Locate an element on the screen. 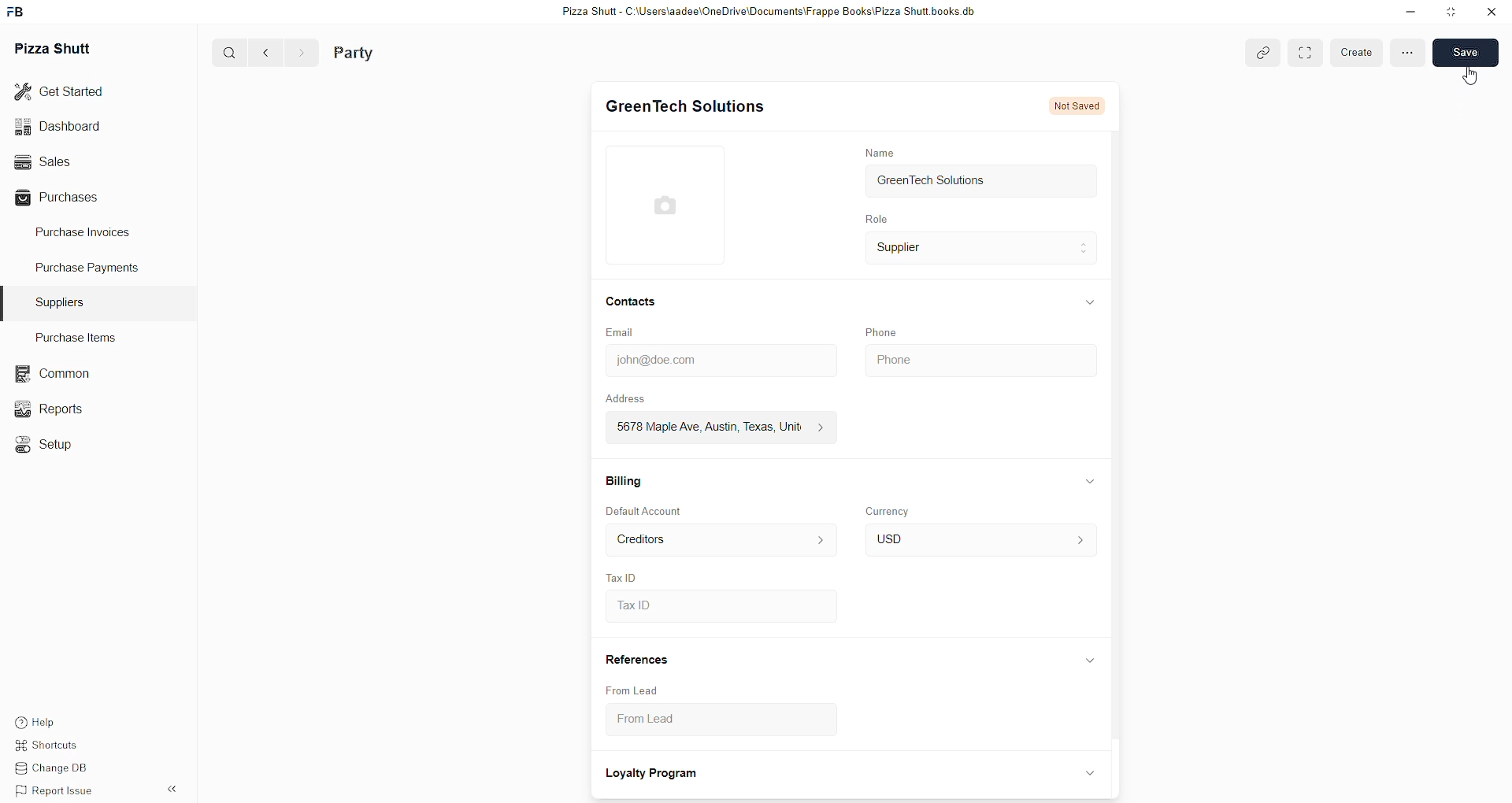 This screenshot has width=1512, height=803. GreenTech Solutions is located at coordinates (685, 107).